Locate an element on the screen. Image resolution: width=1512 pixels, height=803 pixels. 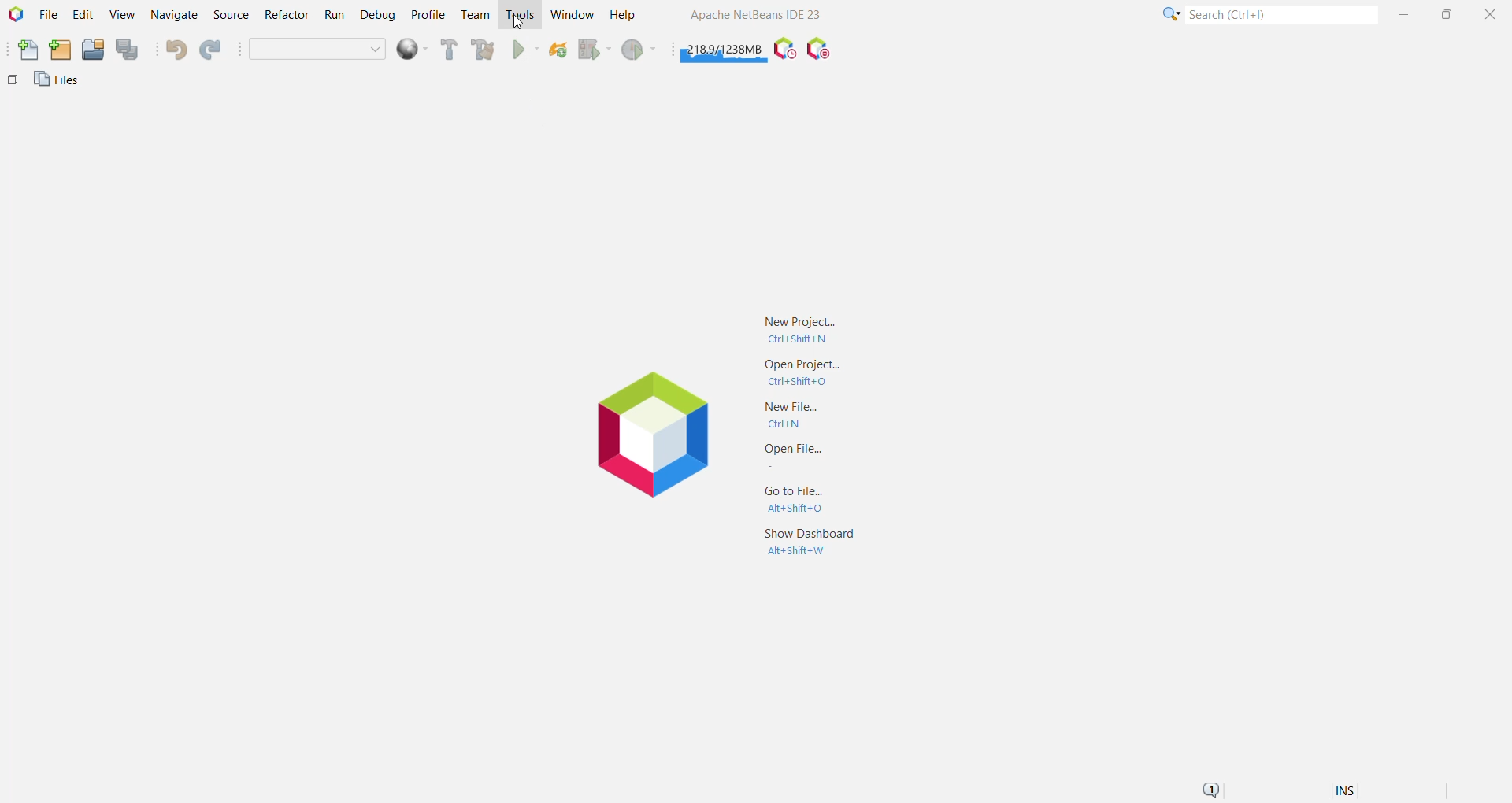
Debug Main Project is located at coordinates (594, 50).